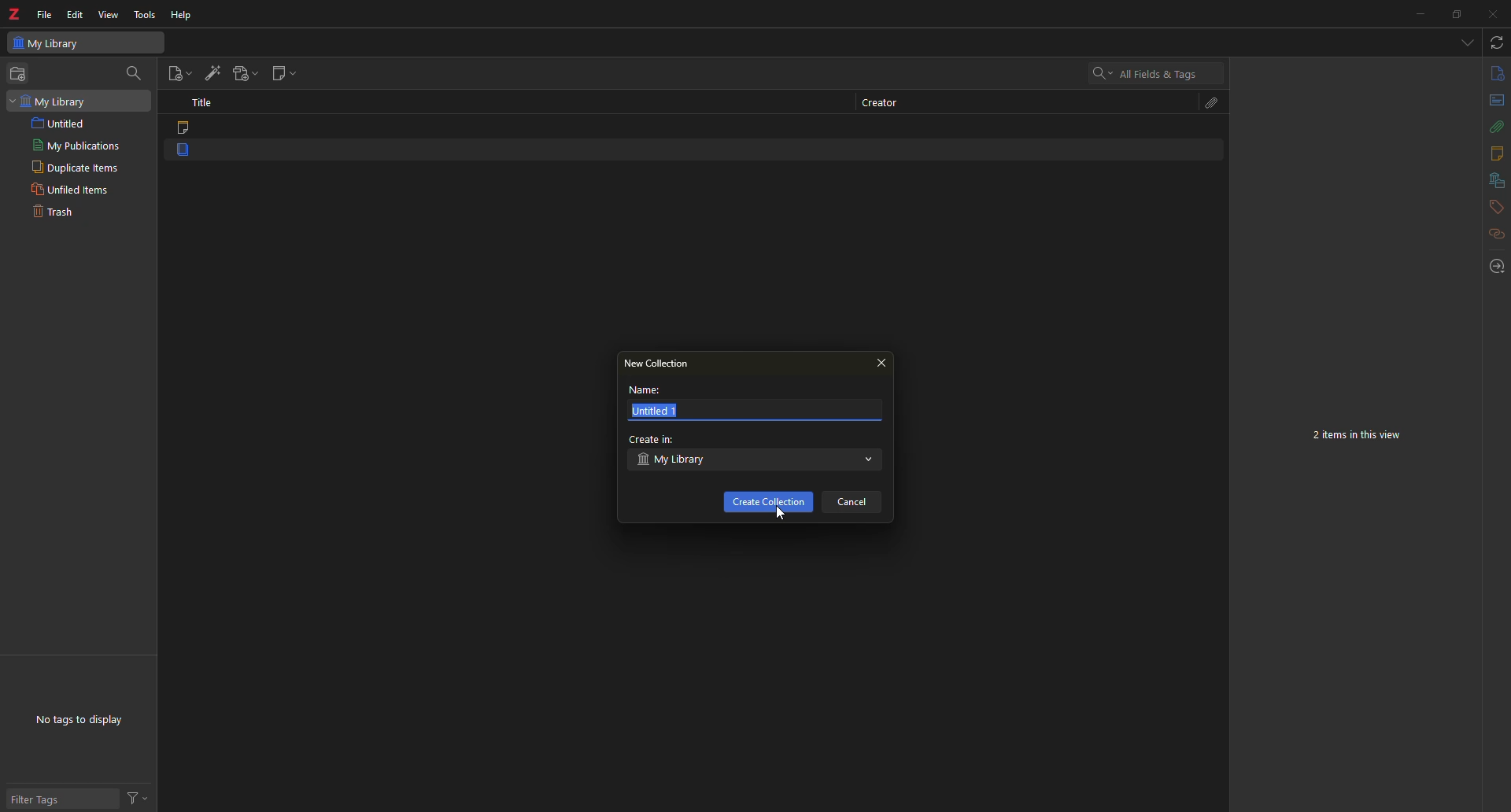 The height and width of the screenshot is (812, 1511). What do you see at coordinates (1362, 436) in the screenshot?
I see `2 items in this view` at bounding box center [1362, 436].